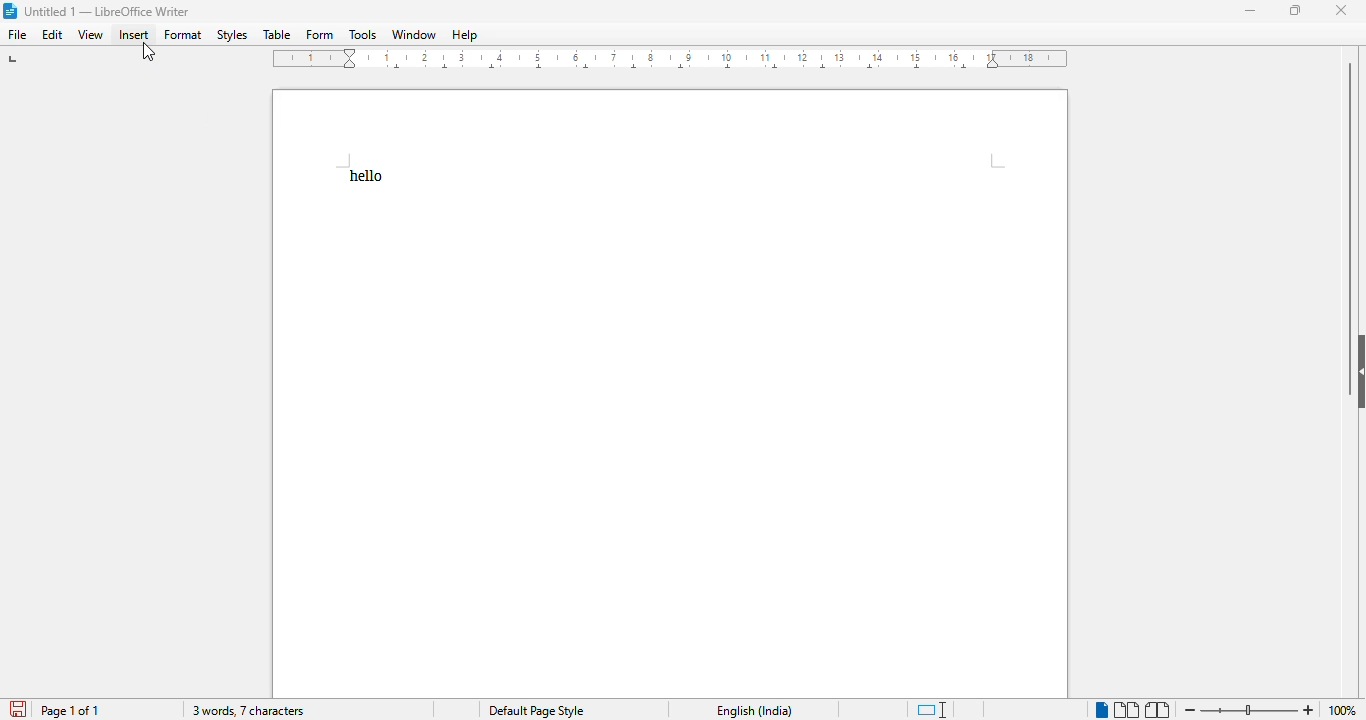  What do you see at coordinates (1158, 710) in the screenshot?
I see `book view` at bounding box center [1158, 710].